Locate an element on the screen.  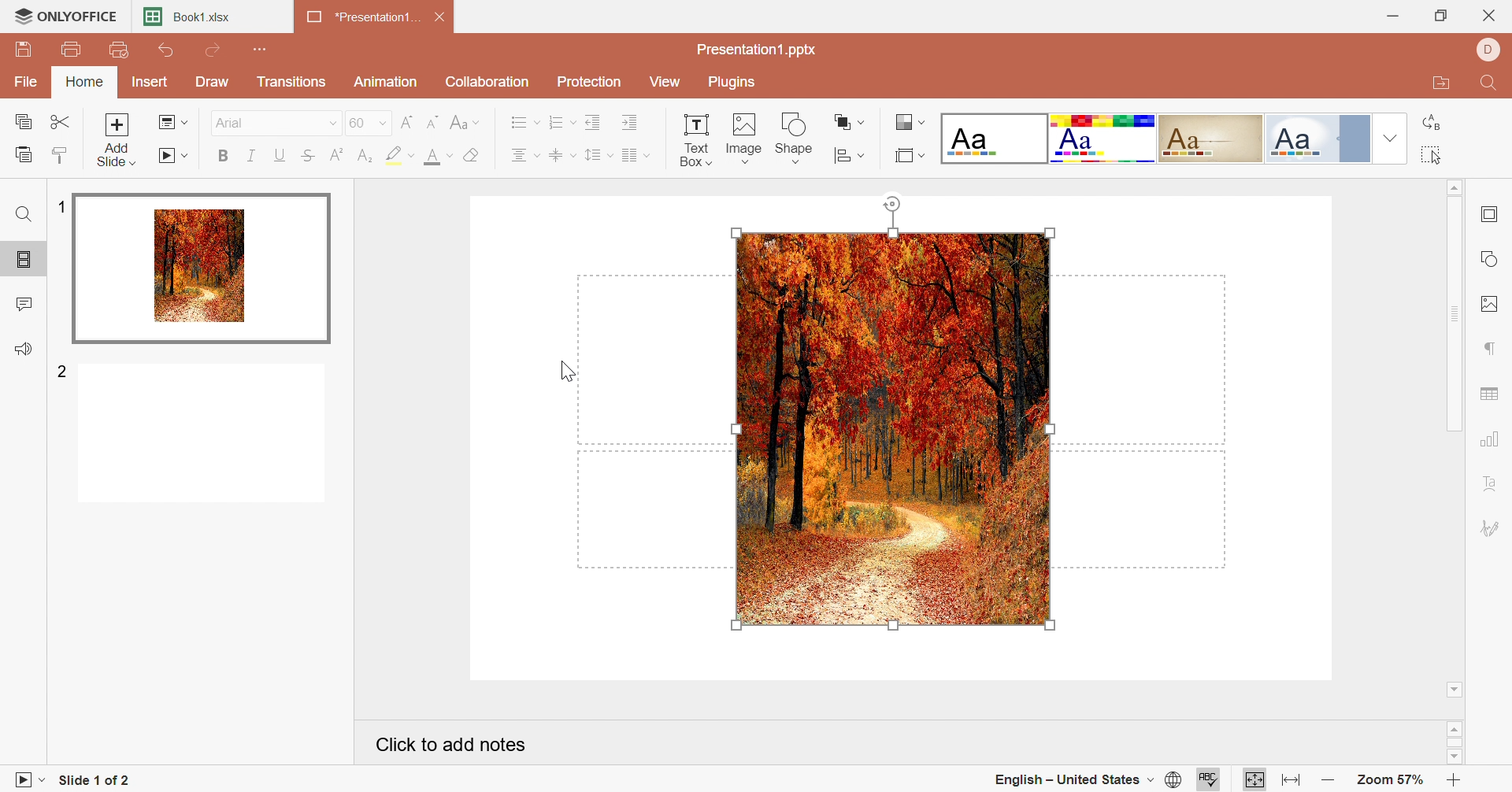
Animation is located at coordinates (386, 82).